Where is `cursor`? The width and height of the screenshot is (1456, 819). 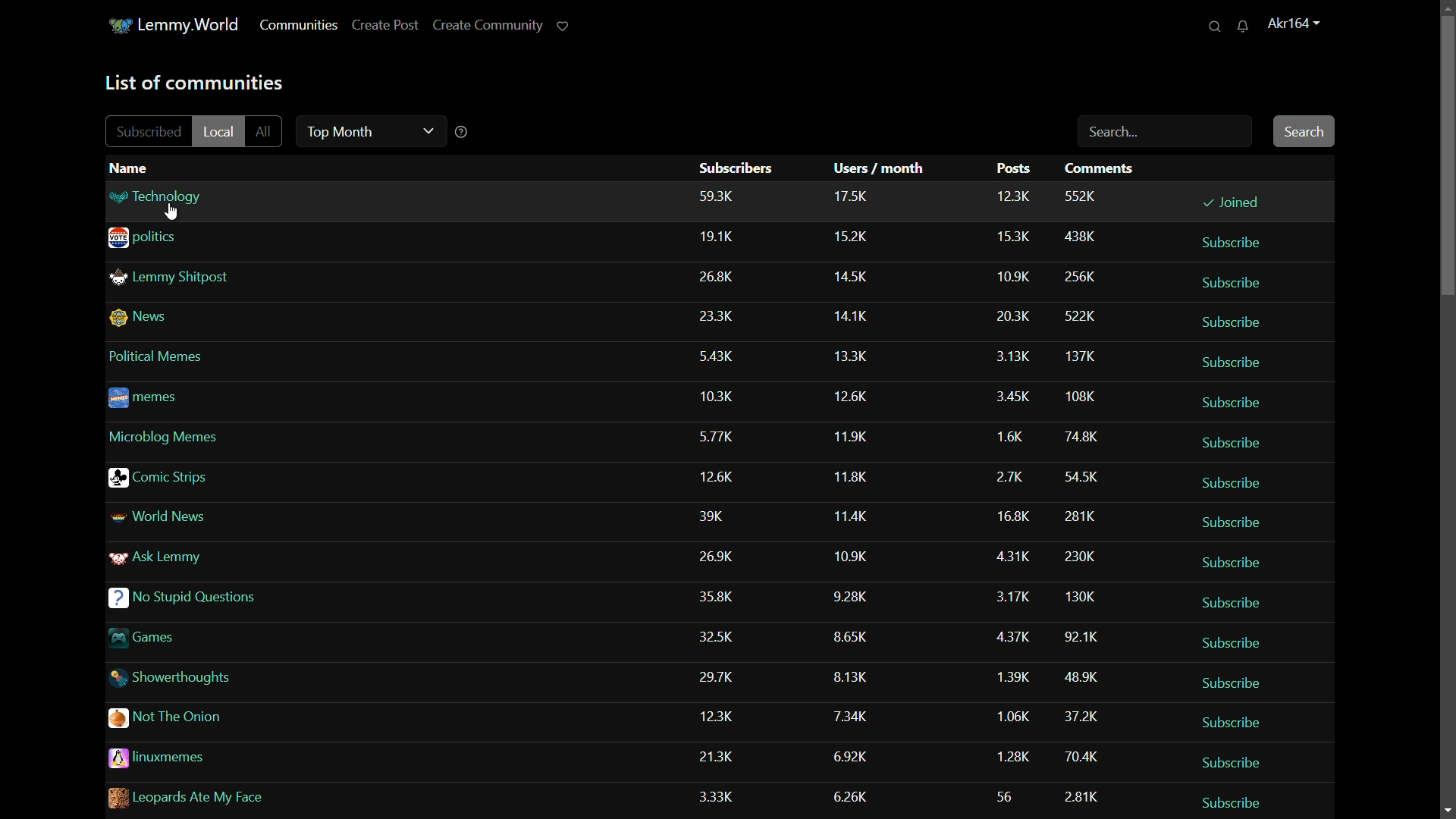
cursor is located at coordinates (176, 215).